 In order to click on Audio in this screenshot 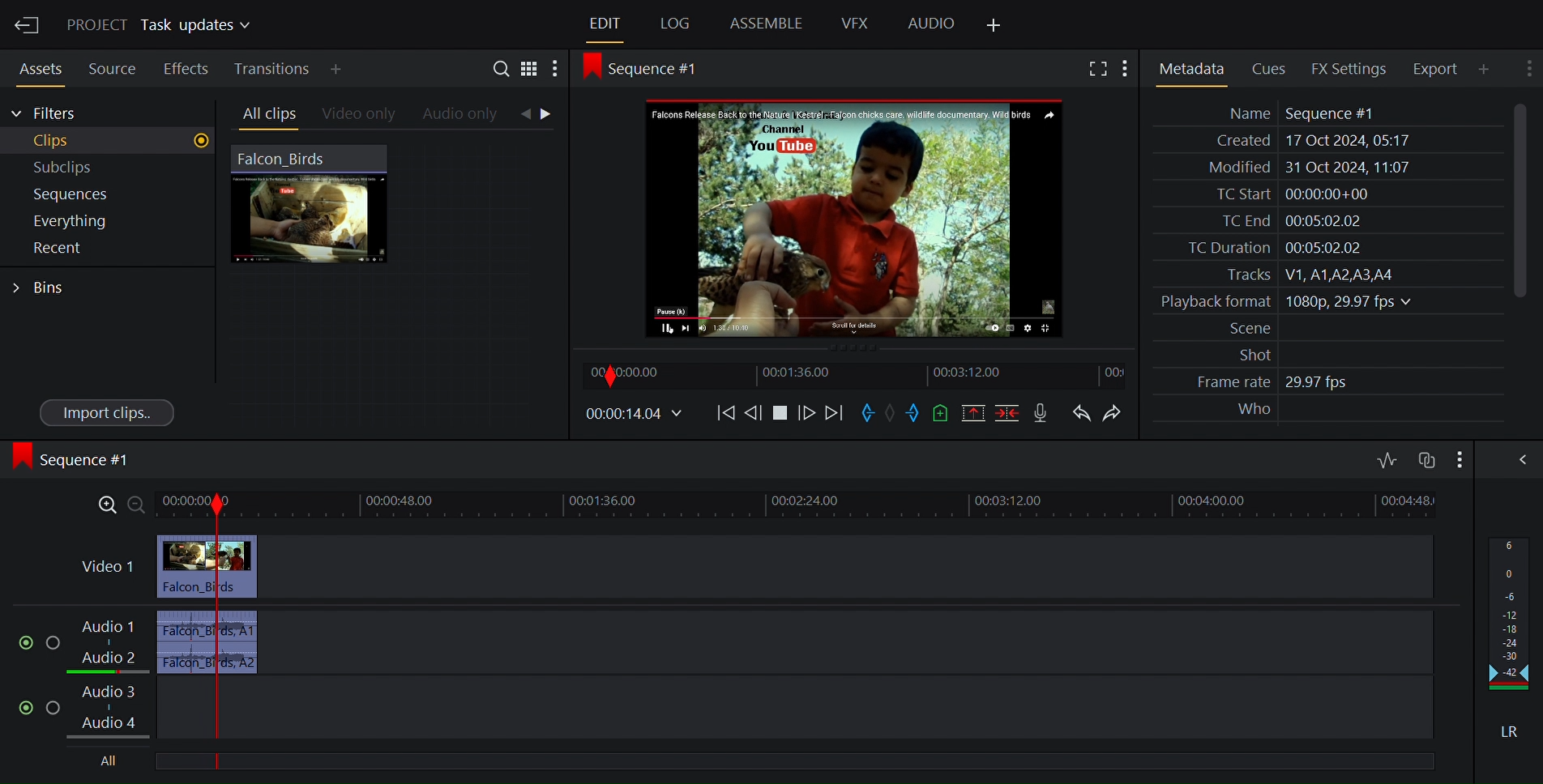, I will do `click(930, 25)`.